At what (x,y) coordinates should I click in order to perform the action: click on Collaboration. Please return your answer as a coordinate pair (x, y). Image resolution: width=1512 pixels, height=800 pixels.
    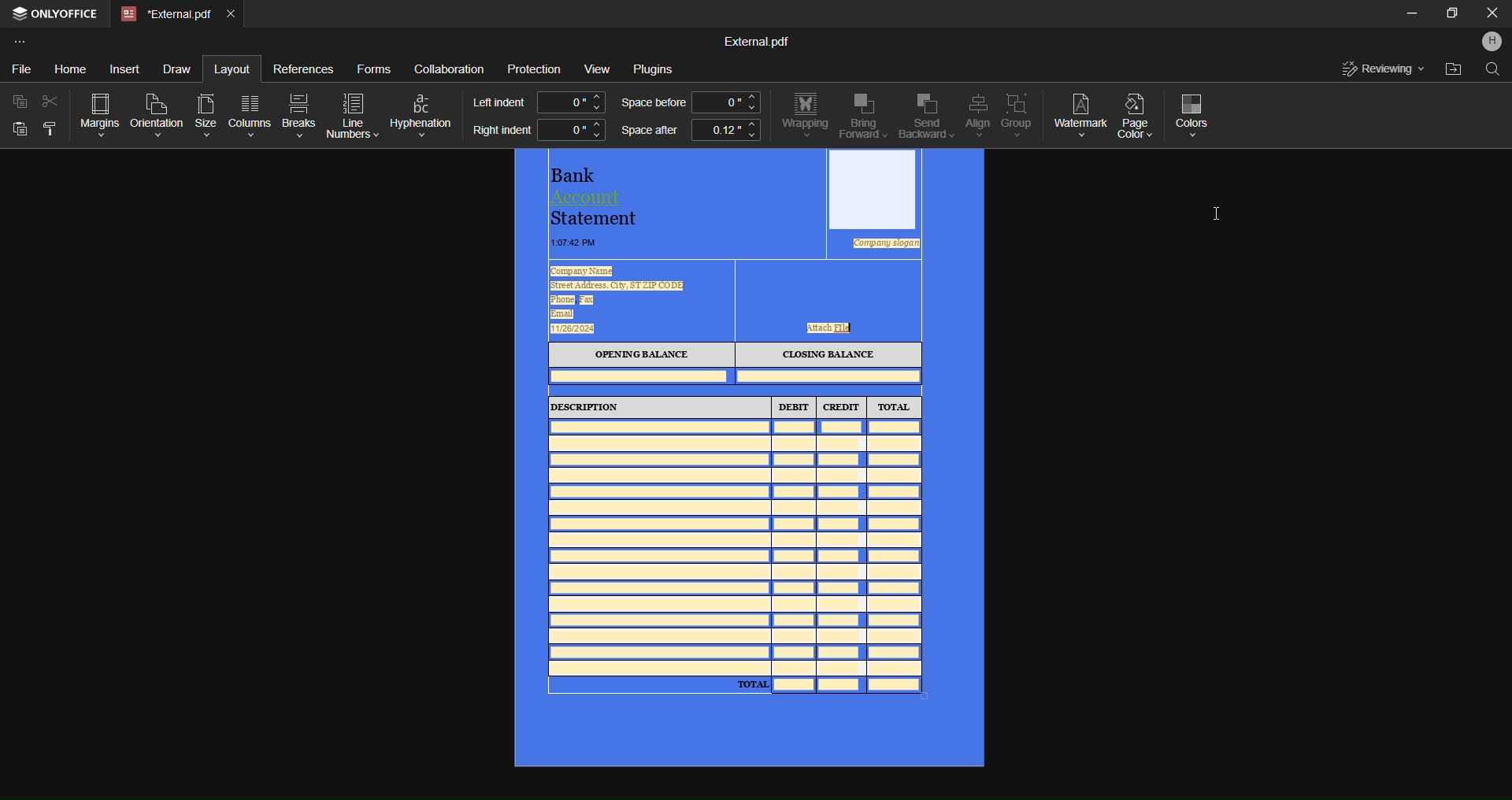
    Looking at the image, I should click on (450, 66).